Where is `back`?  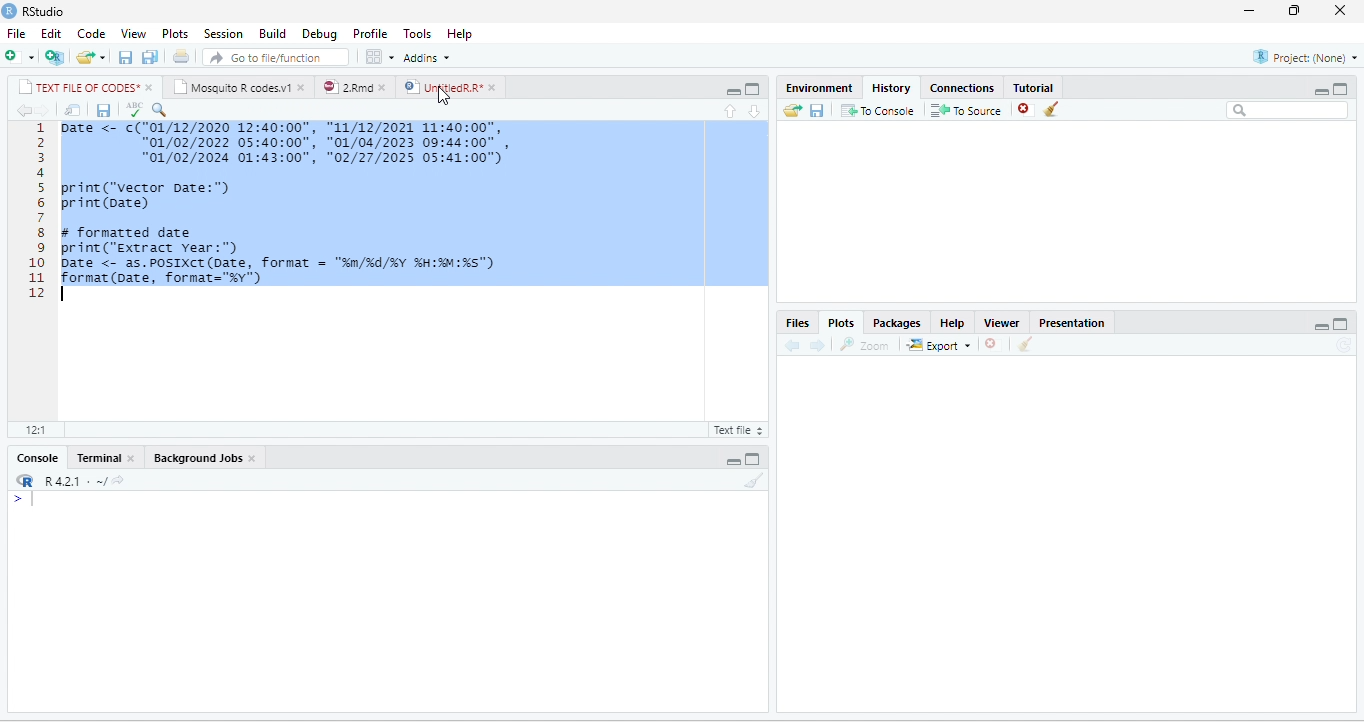
back is located at coordinates (792, 344).